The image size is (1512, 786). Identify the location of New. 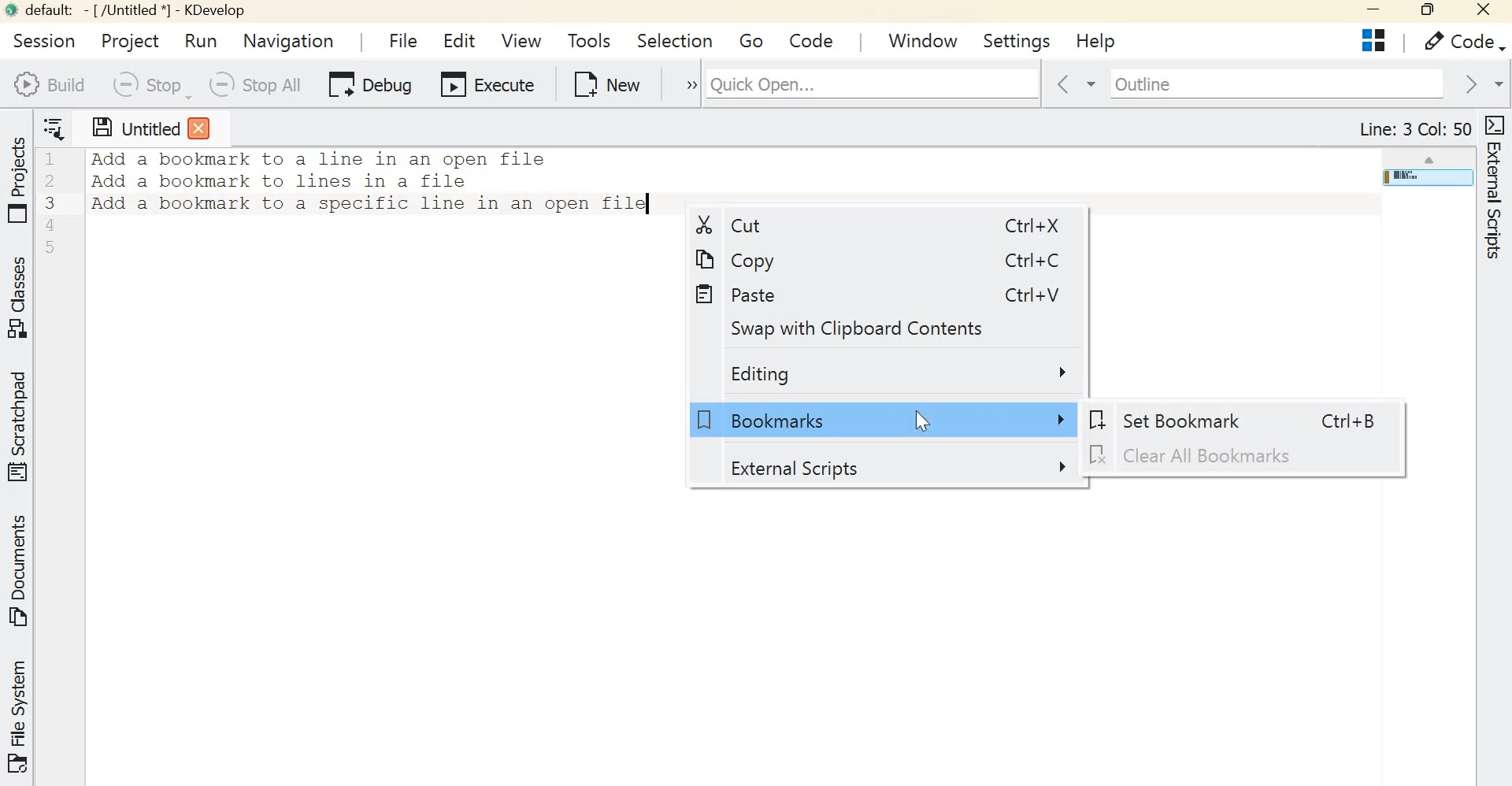
(604, 82).